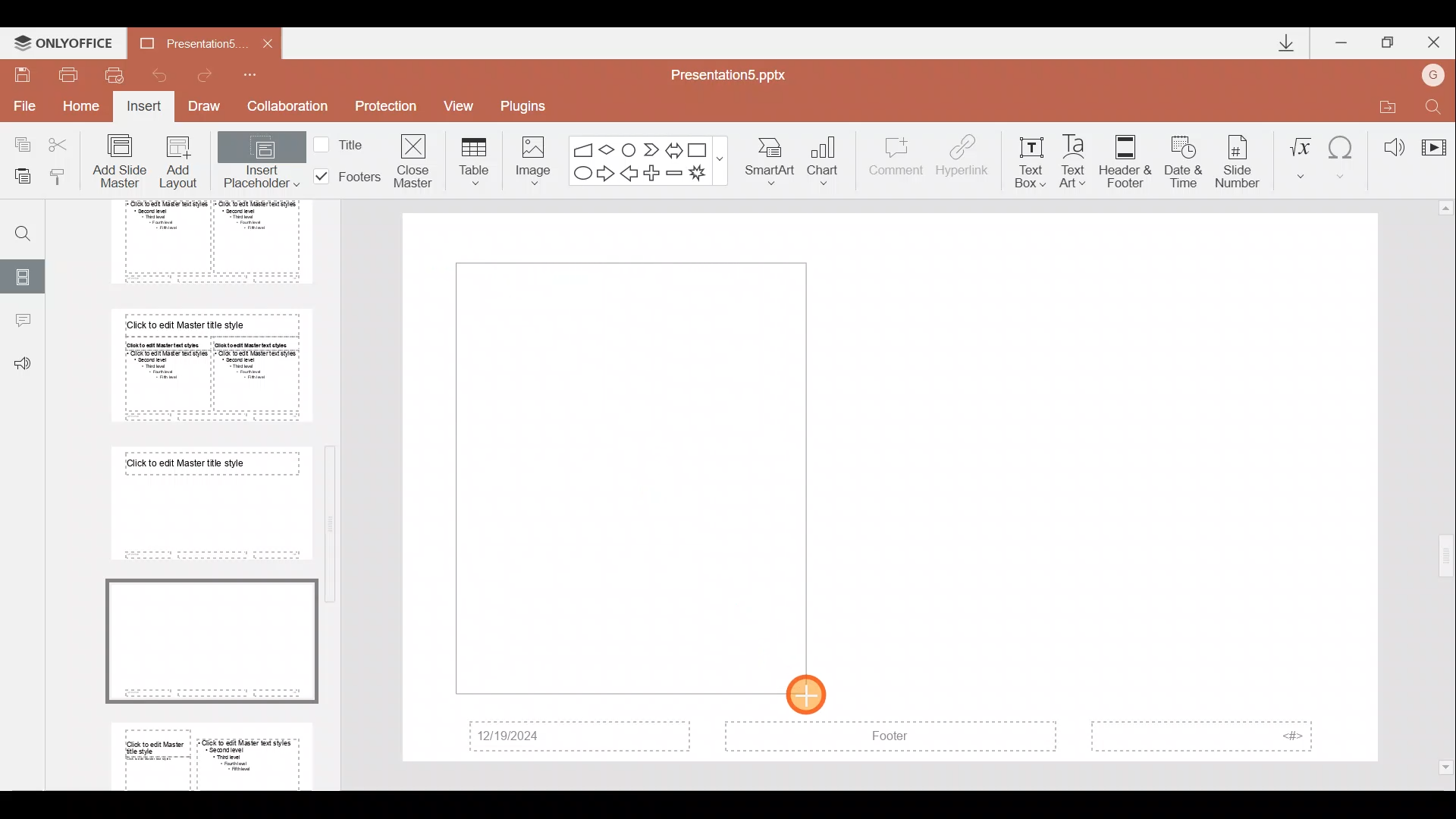 This screenshot has height=819, width=1456. I want to click on Cursor on placeholder, so click(811, 691).